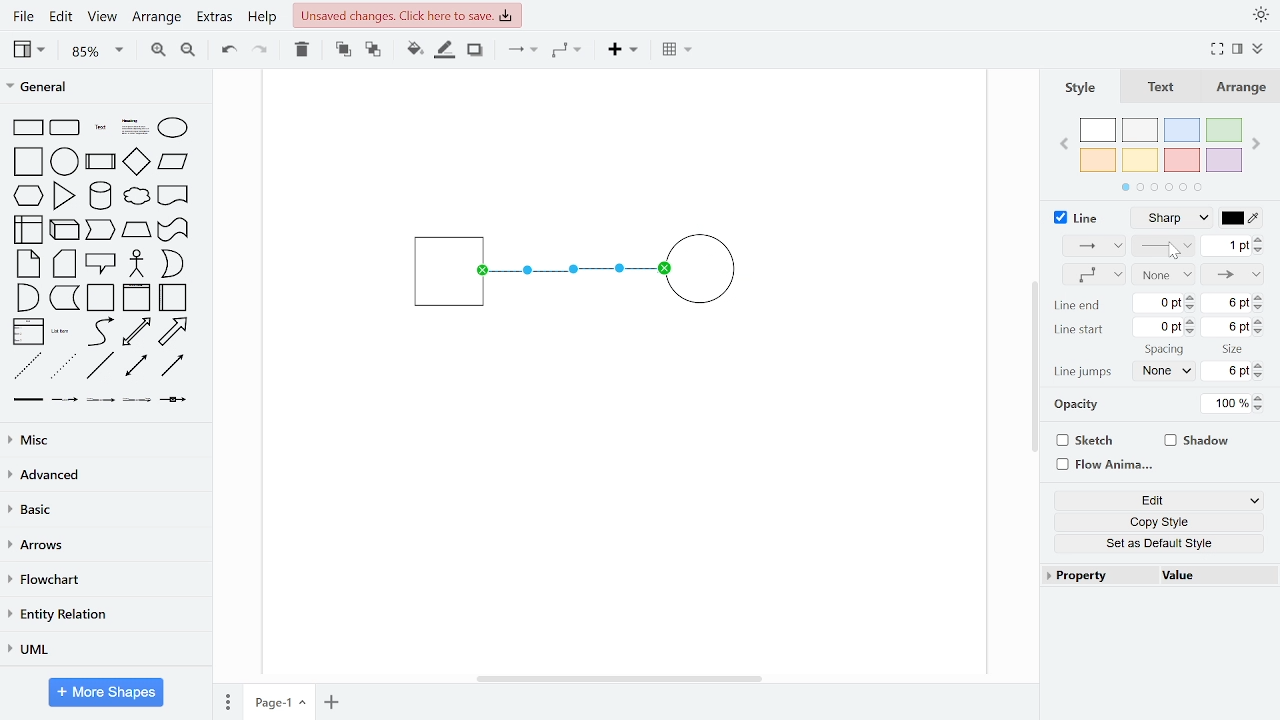  I want to click on collapse, so click(1260, 50).